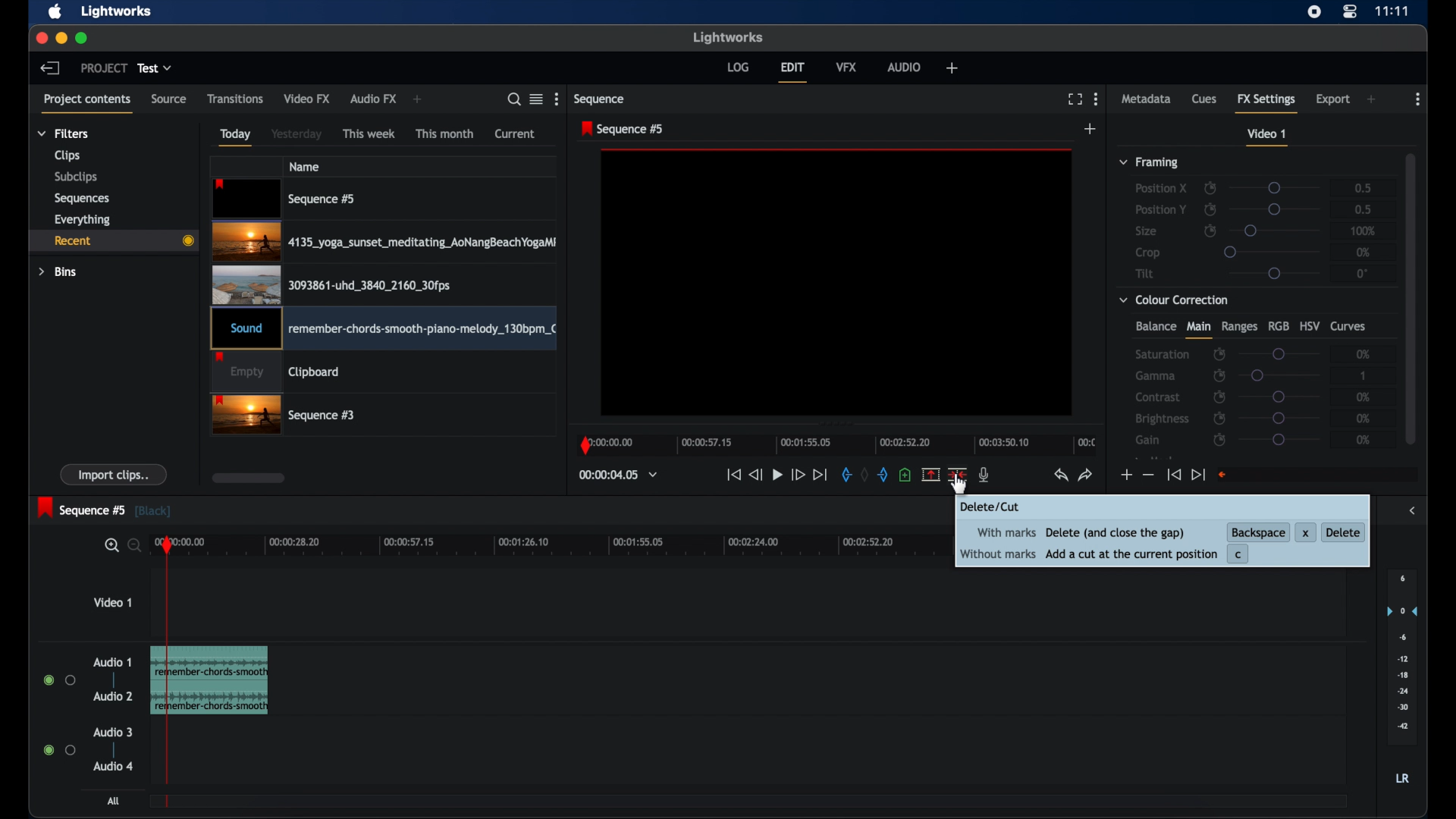 The height and width of the screenshot is (819, 1456). What do you see at coordinates (998, 554) in the screenshot?
I see `without marks` at bounding box center [998, 554].